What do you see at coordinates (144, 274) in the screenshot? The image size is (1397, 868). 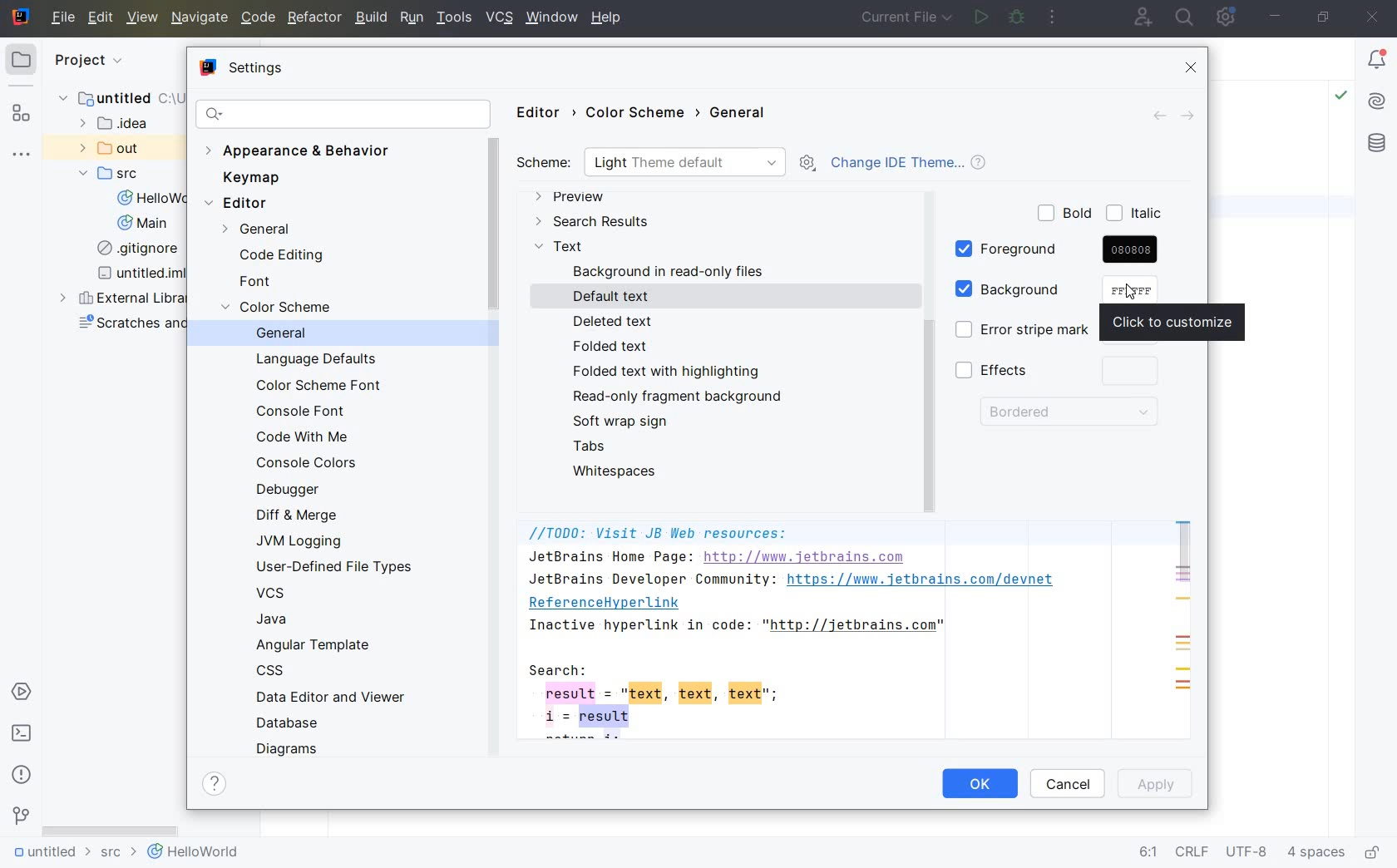 I see `untitled` at bounding box center [144, 274].